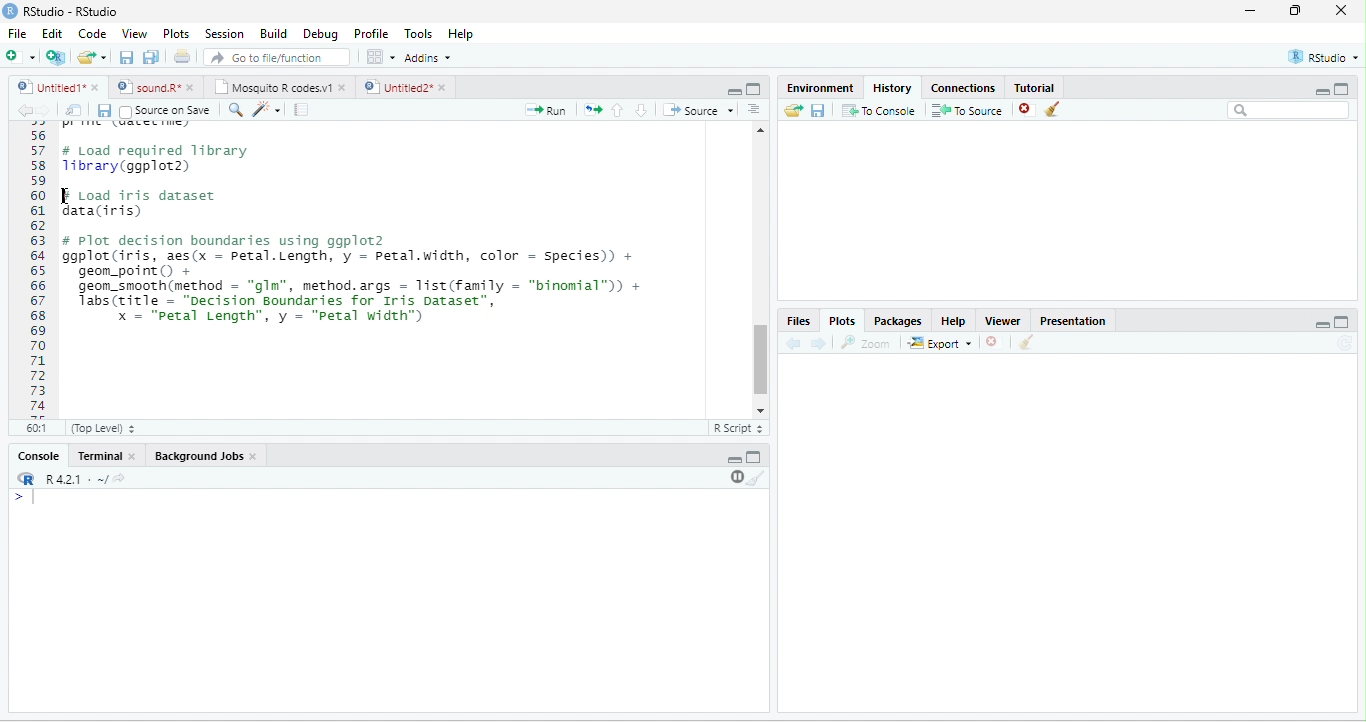 The image size is (1366, 722). I want to click on forward, so click(46, 111).